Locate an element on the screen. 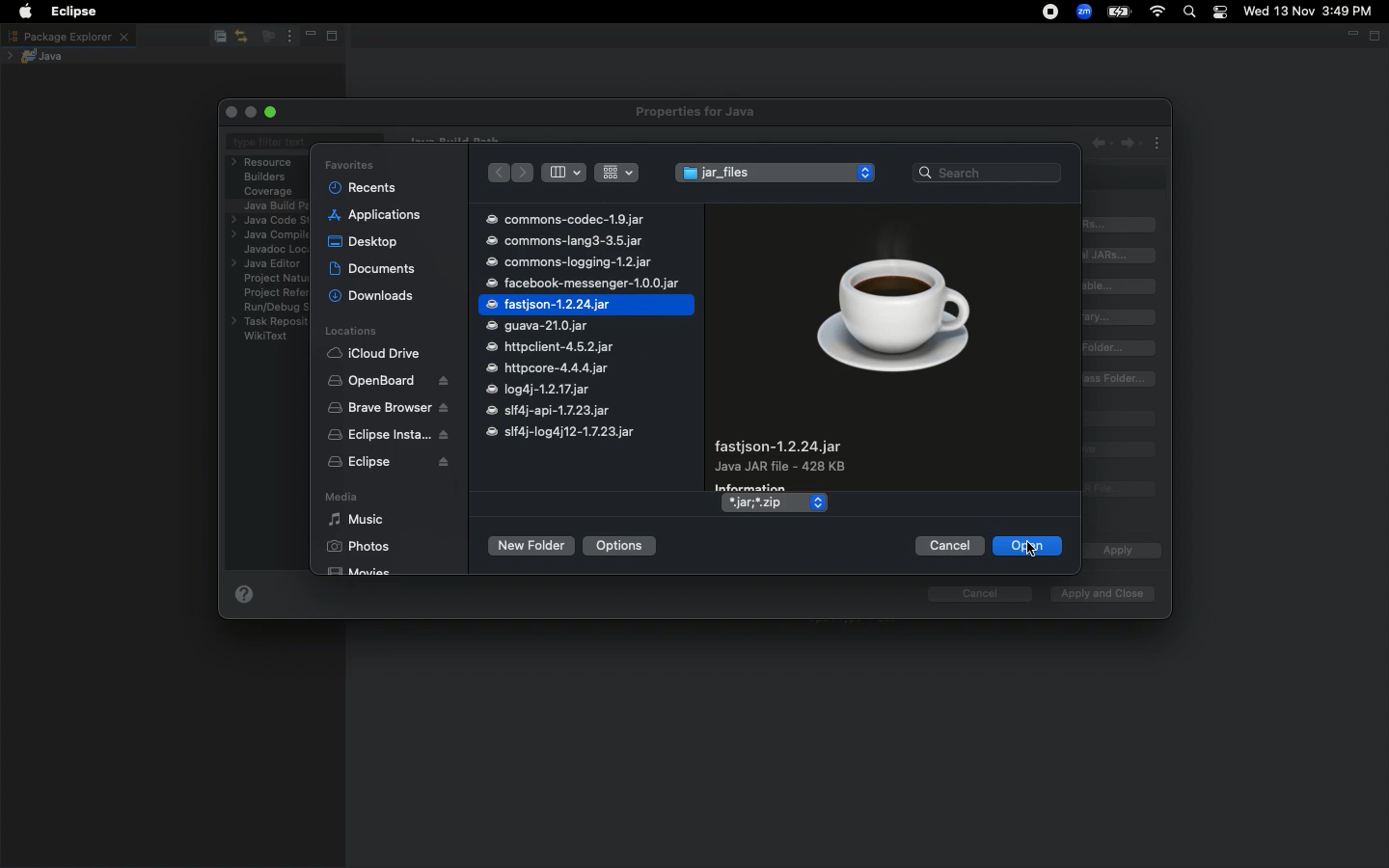 The image size is (1389, 868). Eclipse is located at coordinates (69, 12).